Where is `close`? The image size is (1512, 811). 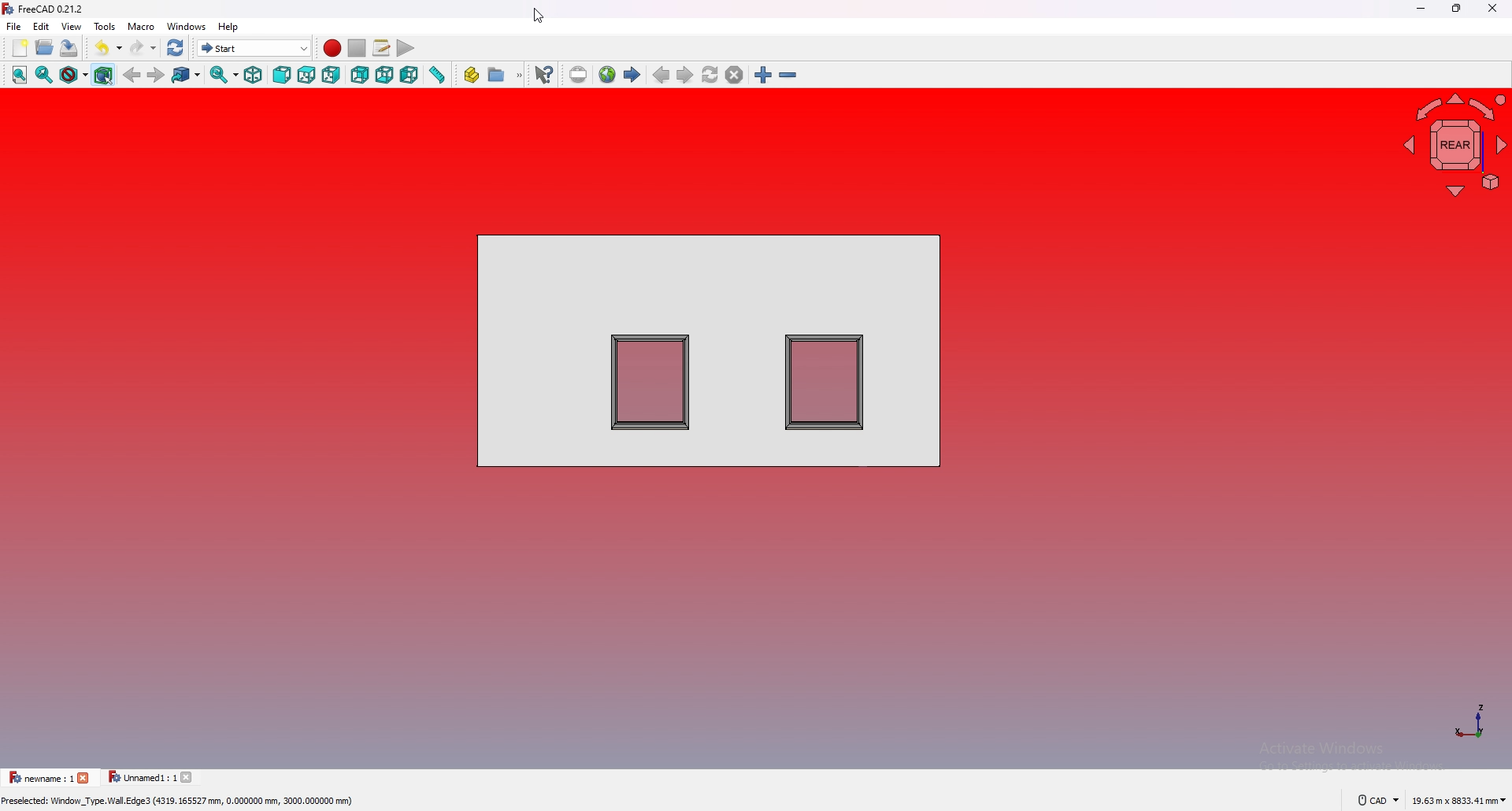 close is located at coordinates (1493, 8).